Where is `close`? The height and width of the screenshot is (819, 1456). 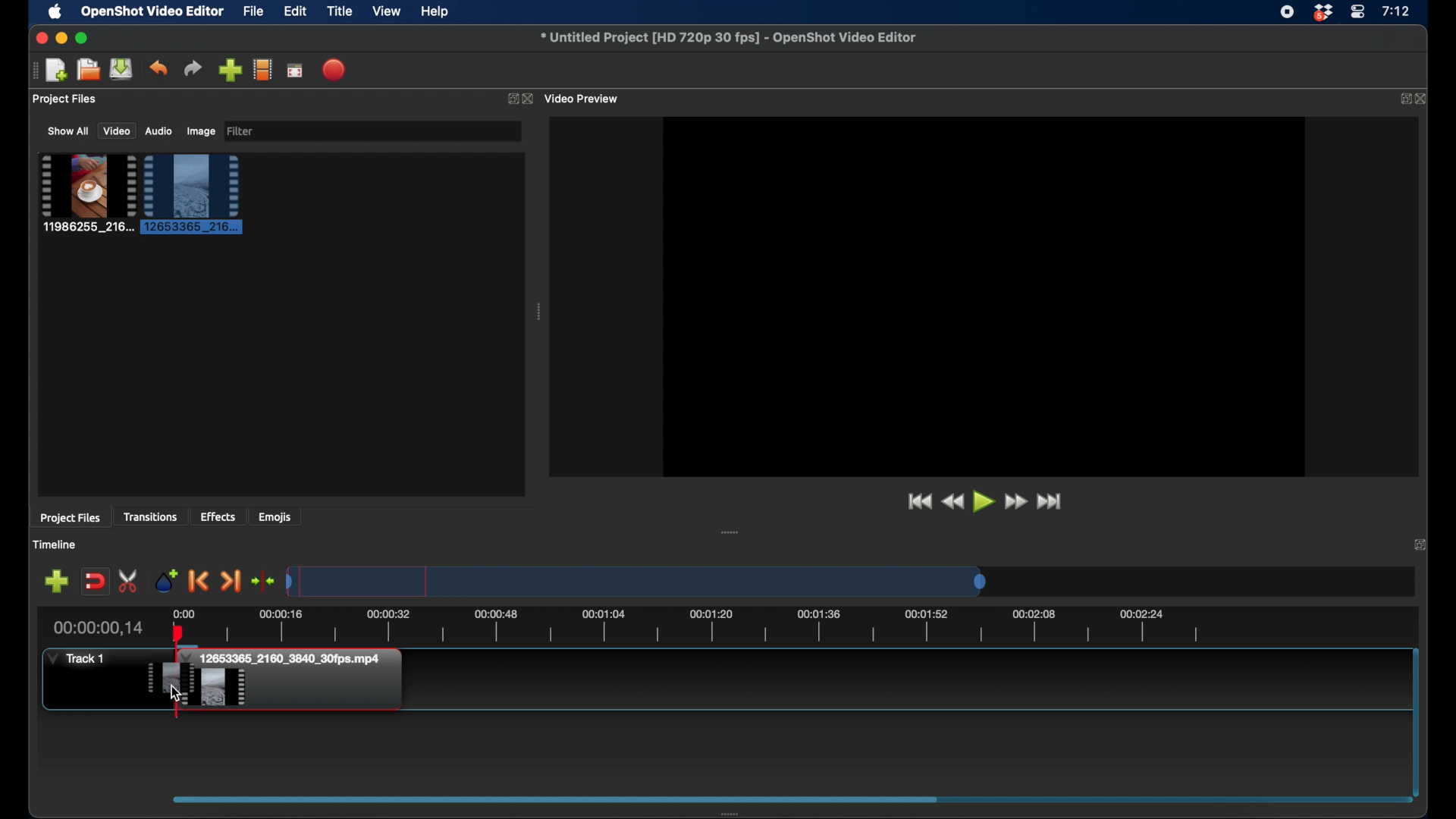
close is located at coordinates (40, 38).